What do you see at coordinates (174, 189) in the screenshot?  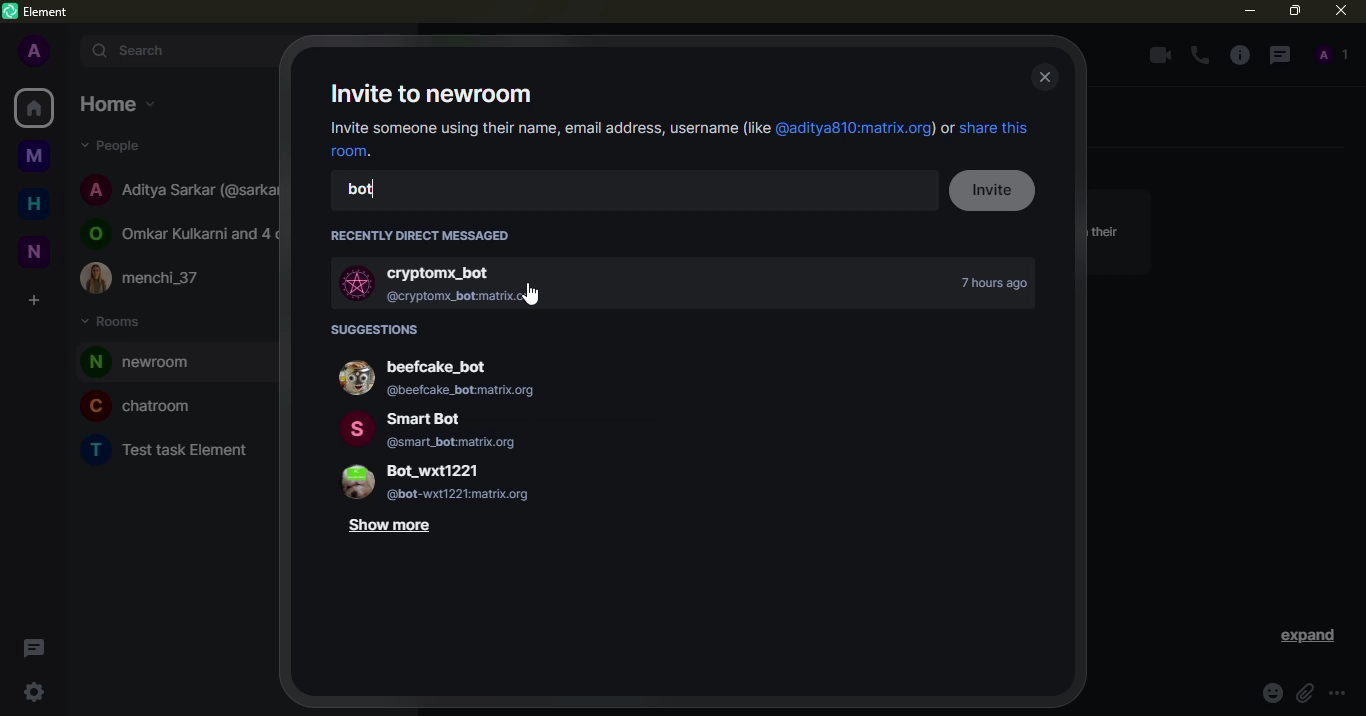 I see `Aditya Sarkar (@sarkar810:matrix.org)` at bounding box center [174, 189].